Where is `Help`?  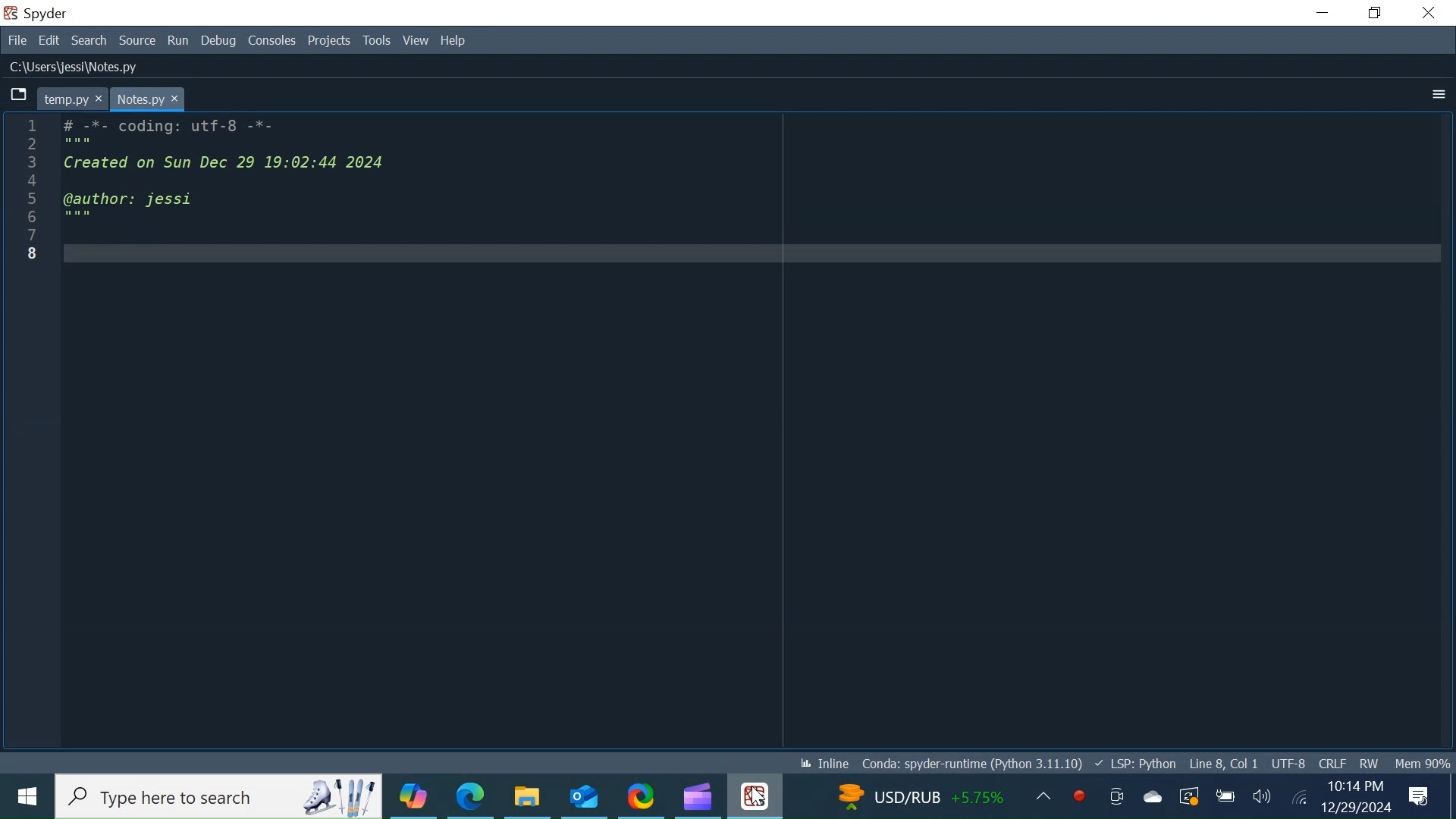
Help is located at coordinates (457, 39).